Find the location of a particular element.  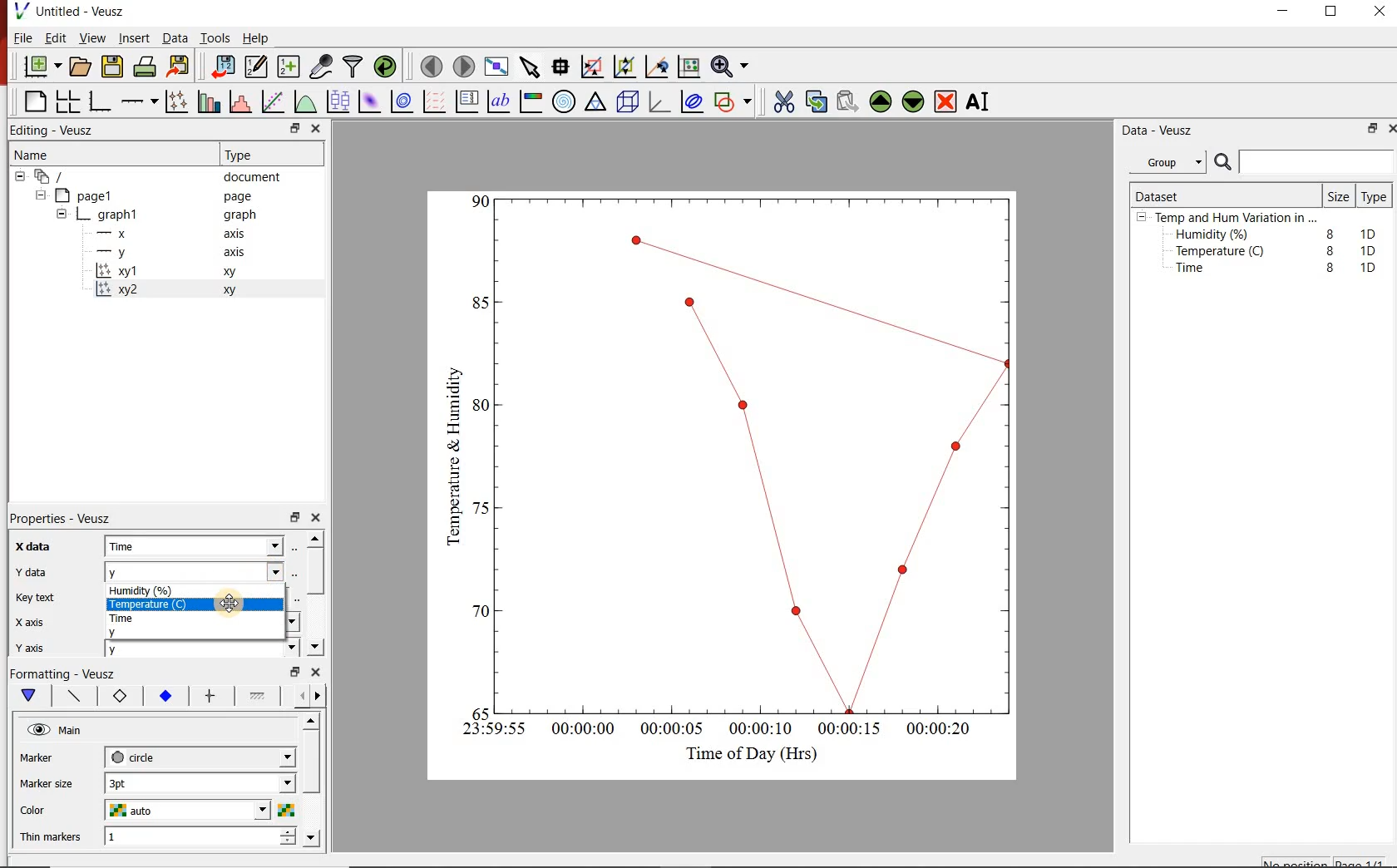

plot covariance ellipses is located at coordinates (696, 105).